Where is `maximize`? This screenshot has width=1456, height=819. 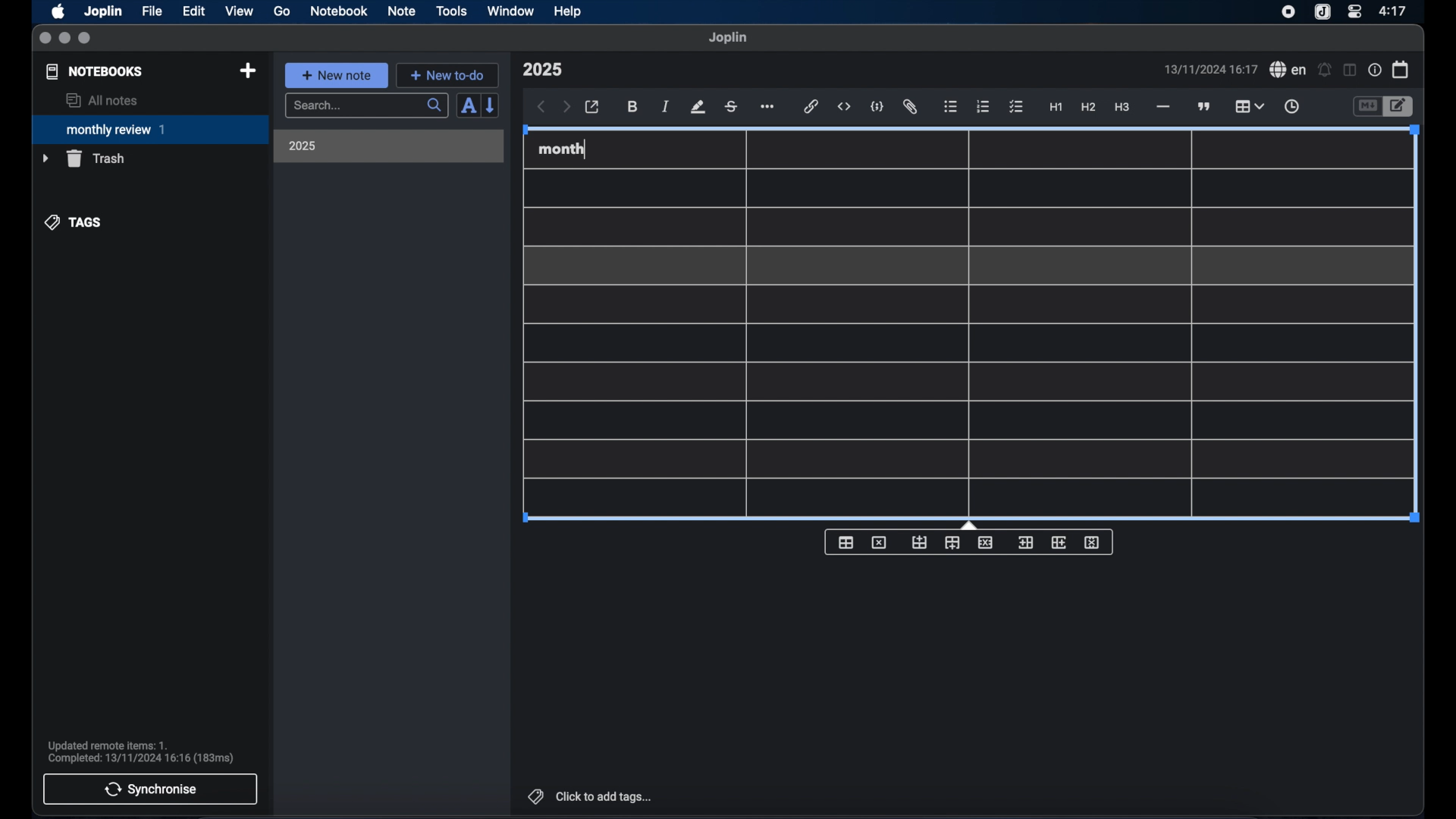 maximize is located at coordinates (86, 39).